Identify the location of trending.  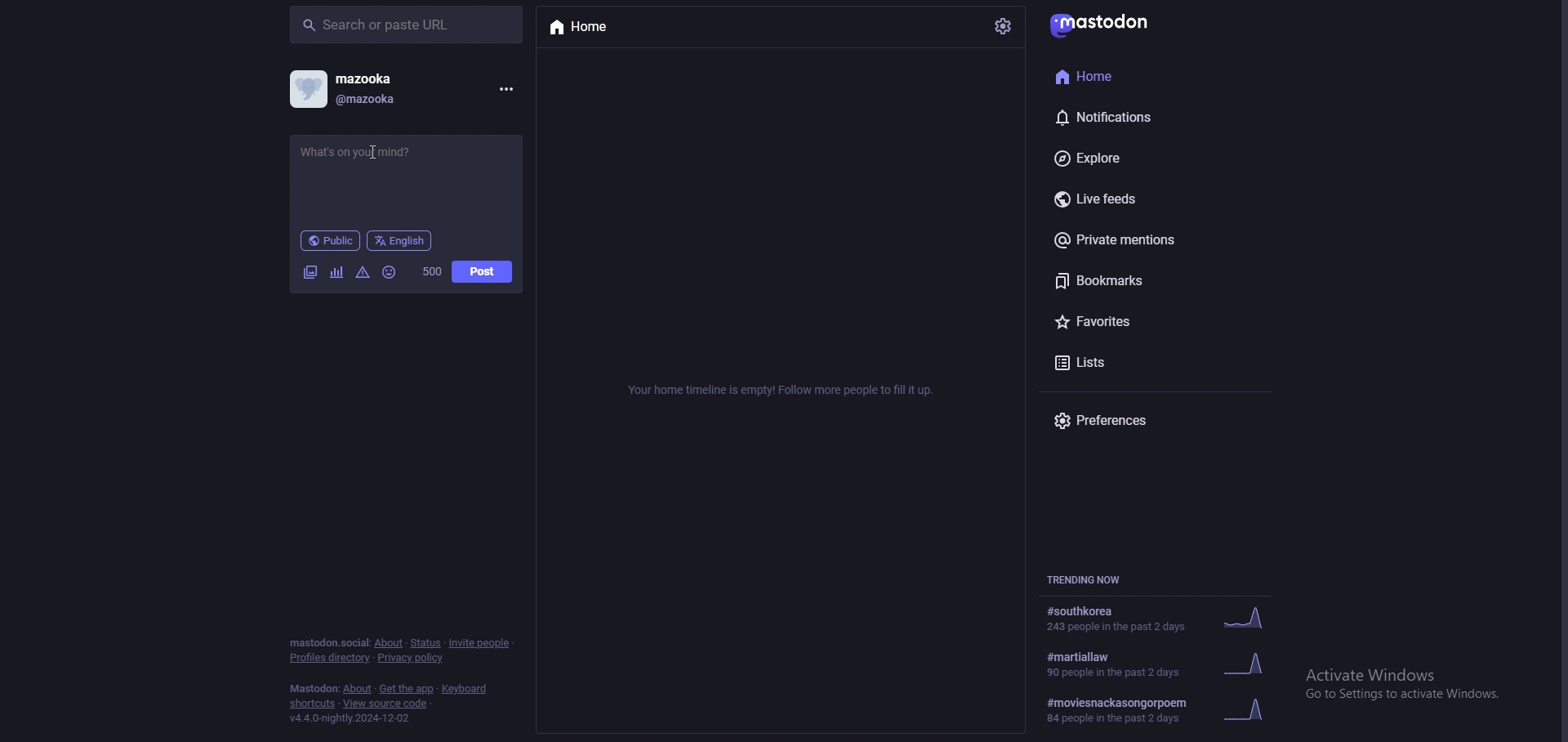
(1173, 708).